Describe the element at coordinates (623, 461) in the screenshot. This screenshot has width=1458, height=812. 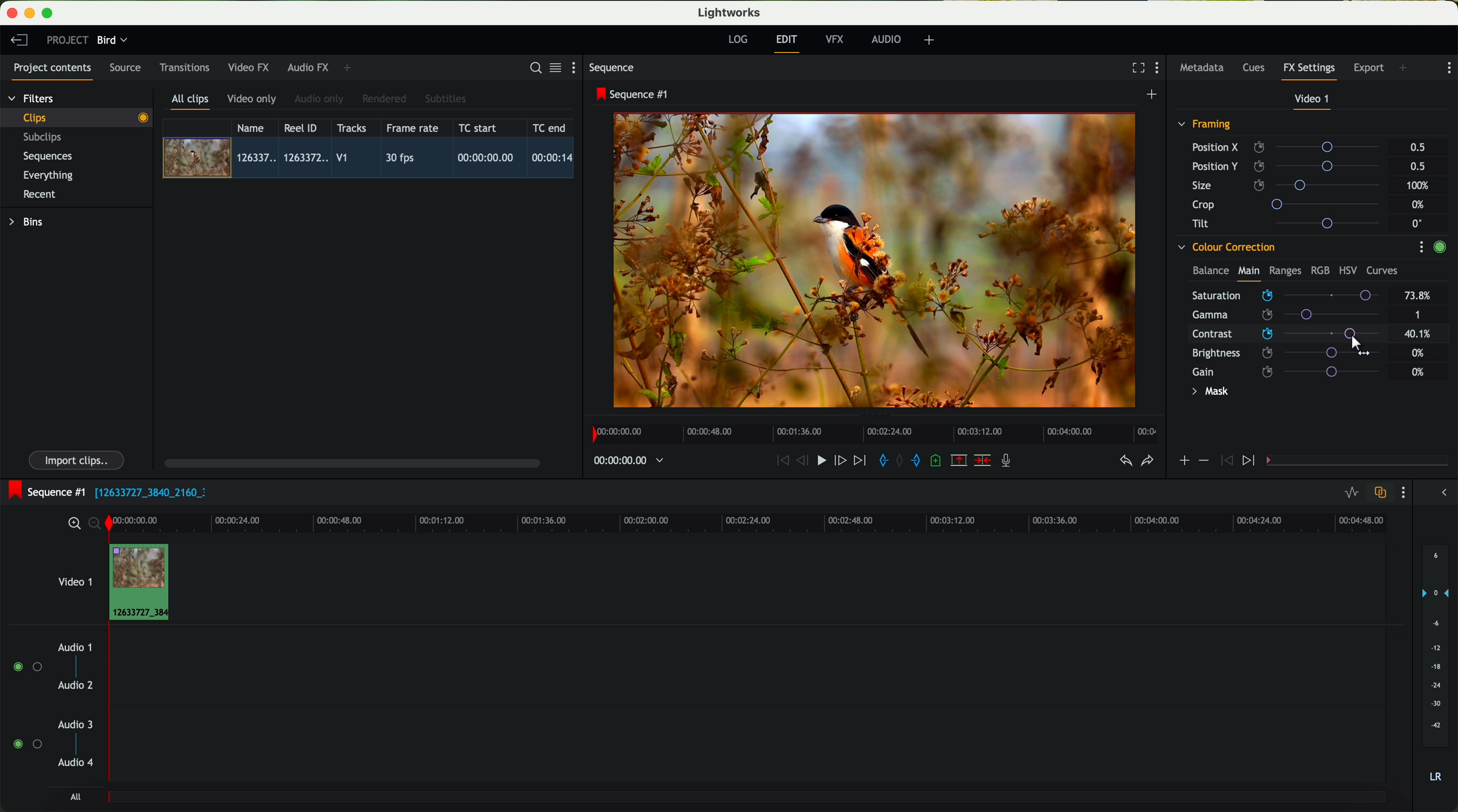
I see `timeline` at that location.